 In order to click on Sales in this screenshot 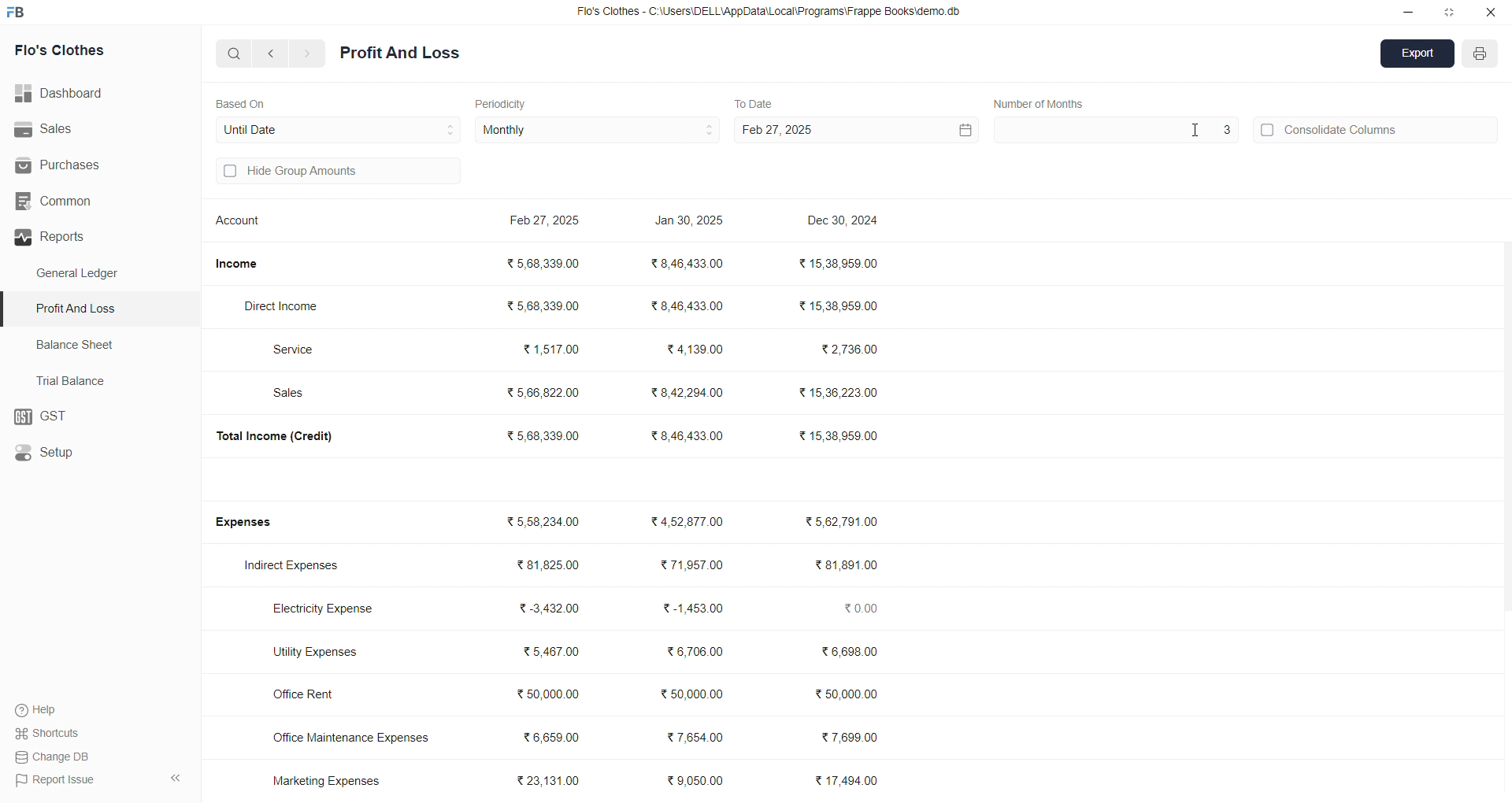, I will do `click(296, 394)`.